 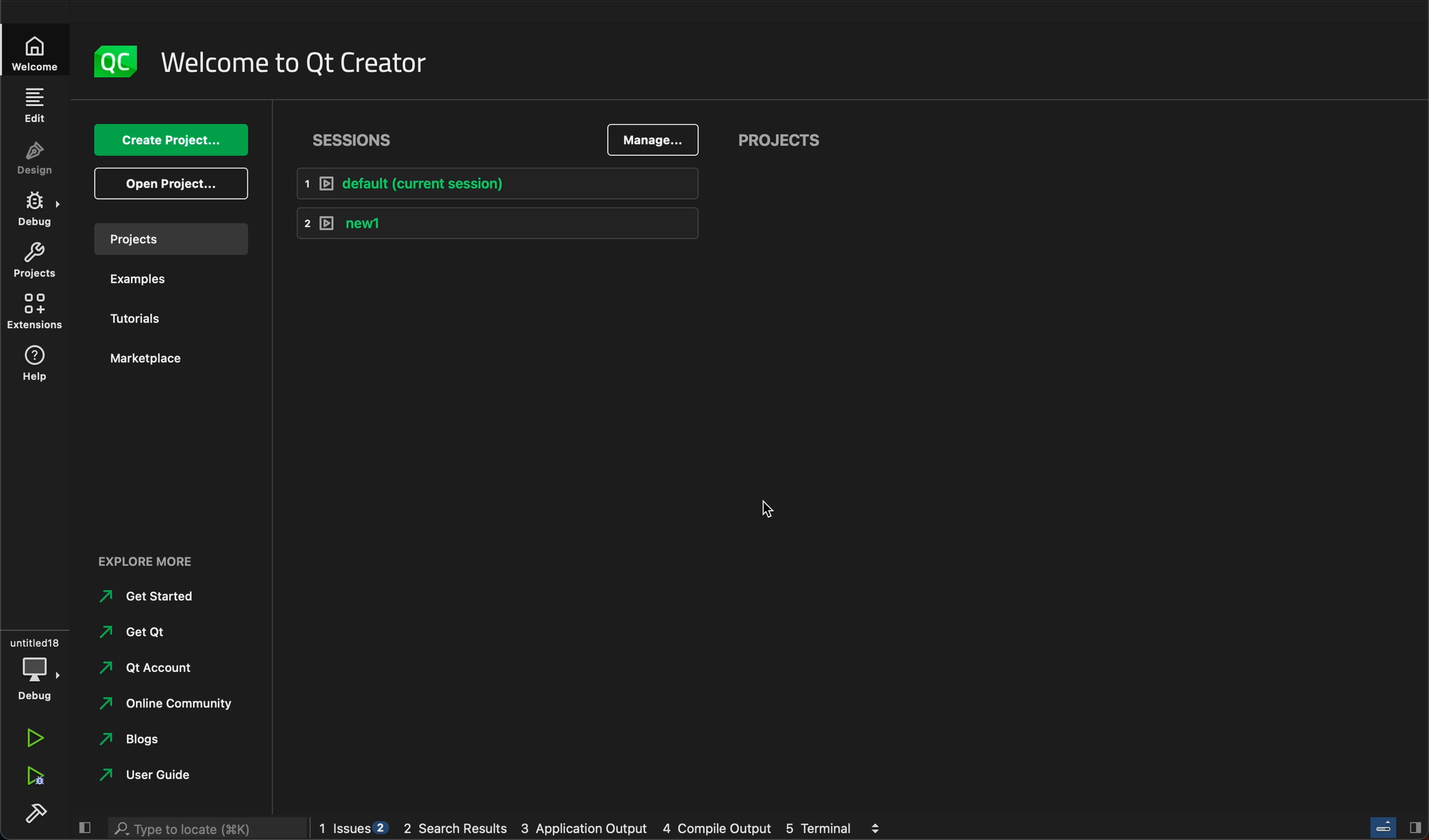 What do you see at coordinates (32, 367) in the screenshot?
I see `help` at bounding box center [32, 367].